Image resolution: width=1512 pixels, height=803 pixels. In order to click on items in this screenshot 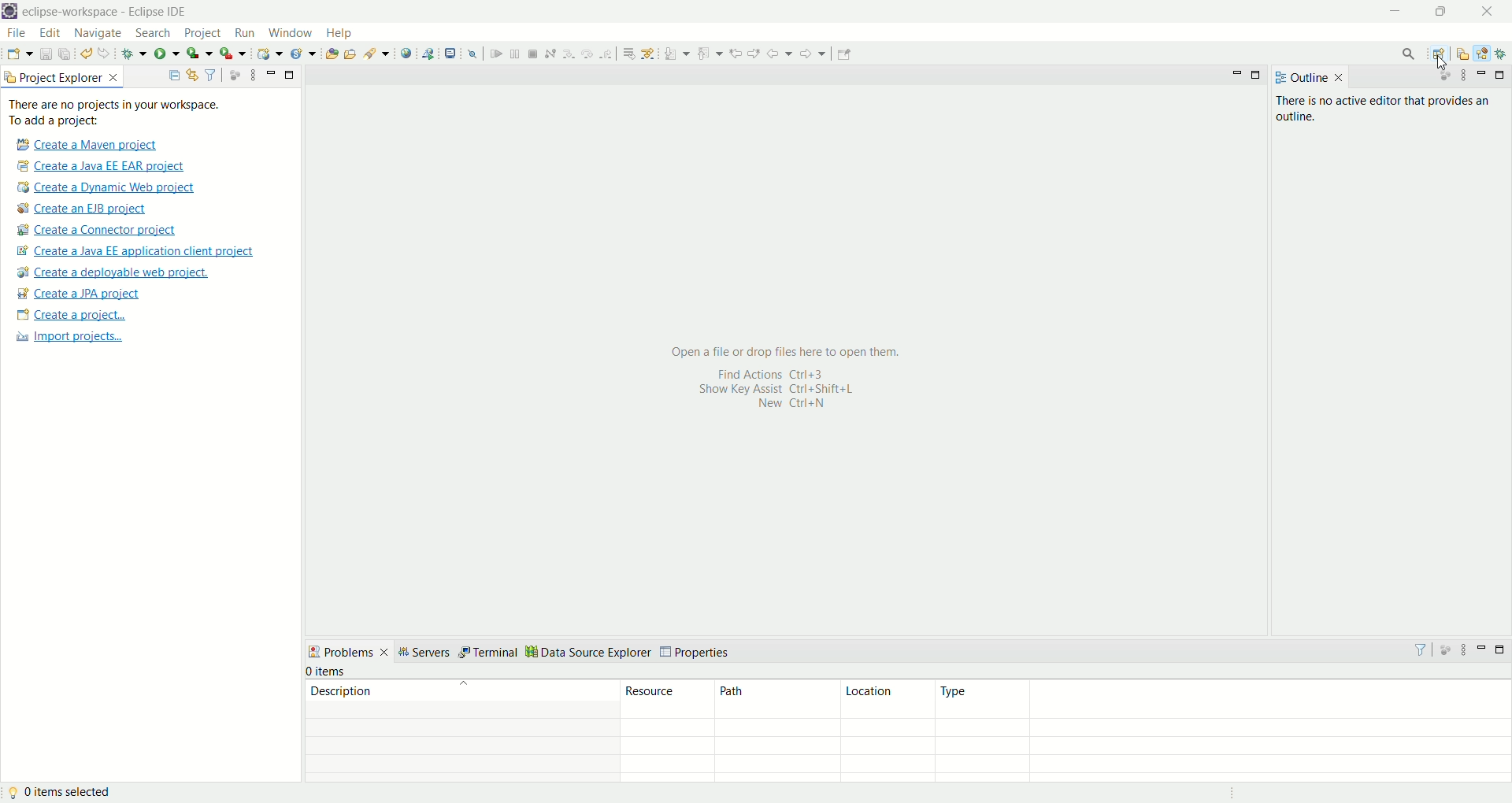, I will do `click(329, 670)`.